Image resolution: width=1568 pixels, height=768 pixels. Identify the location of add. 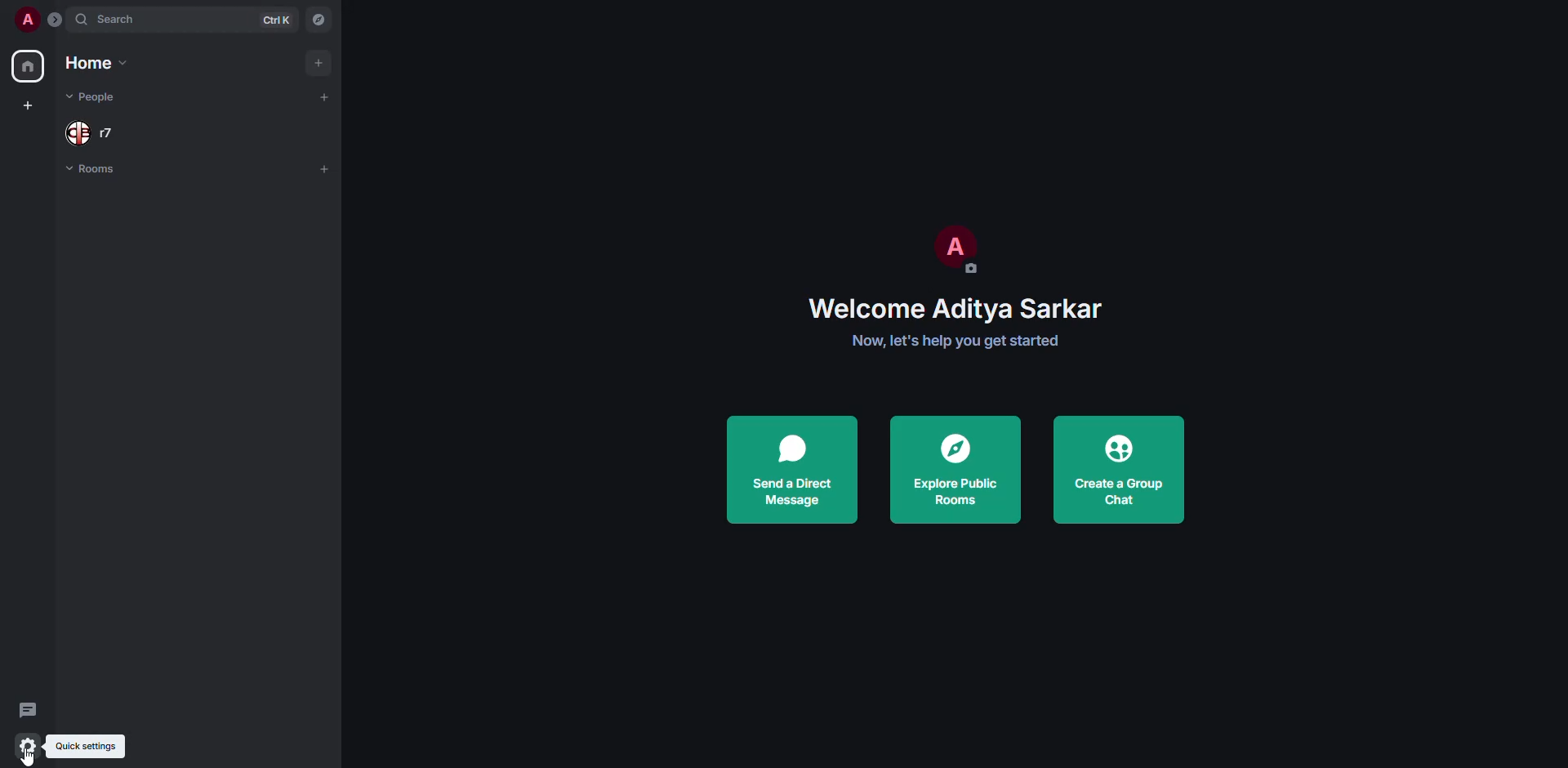
(321, 61).